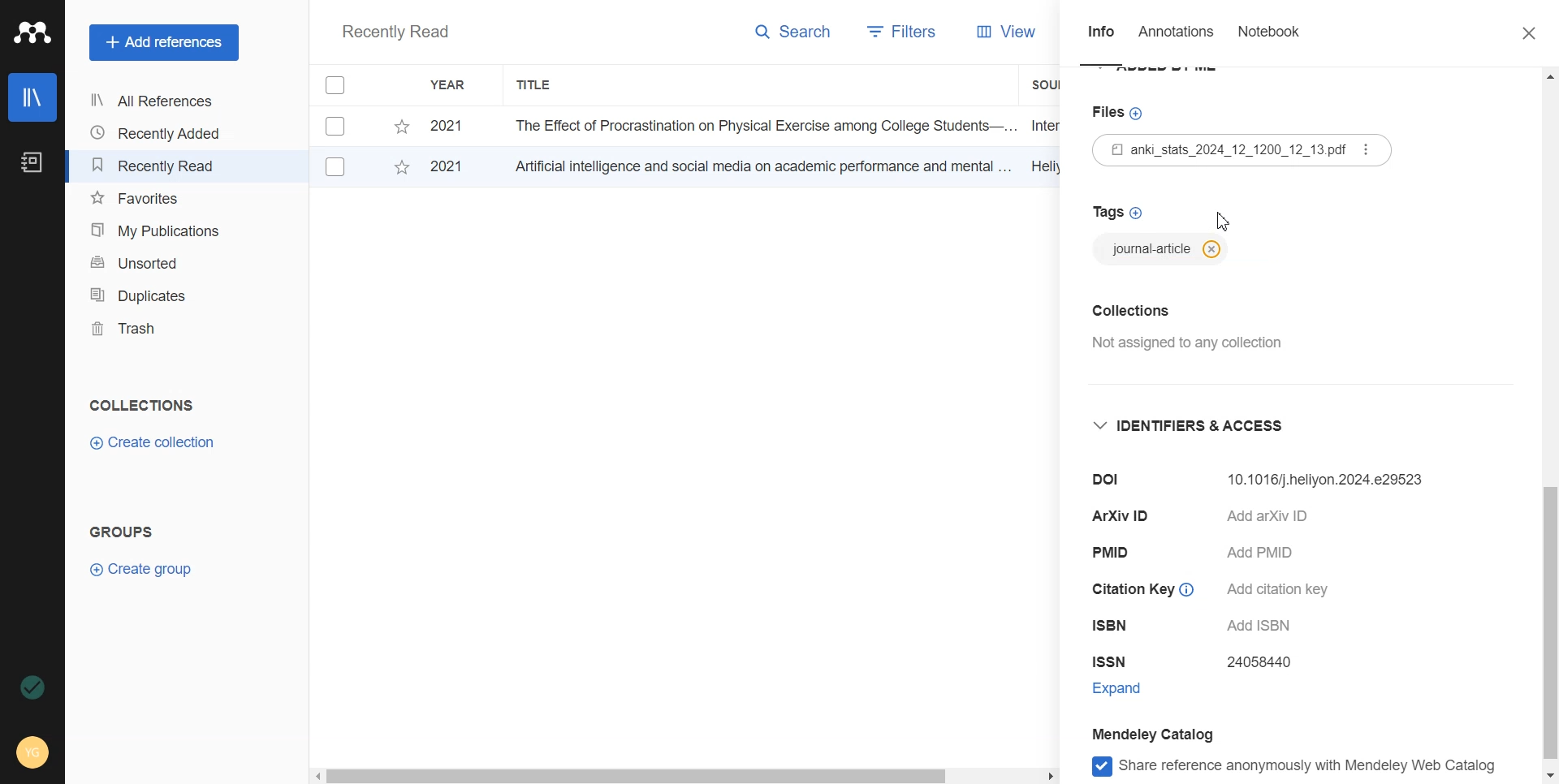 The width and height of the screenshot is (1559, 784). What do you see at coordinates (159, 295) in the screenshot?
I see `Duplicates` at bounding box center [159, 295].